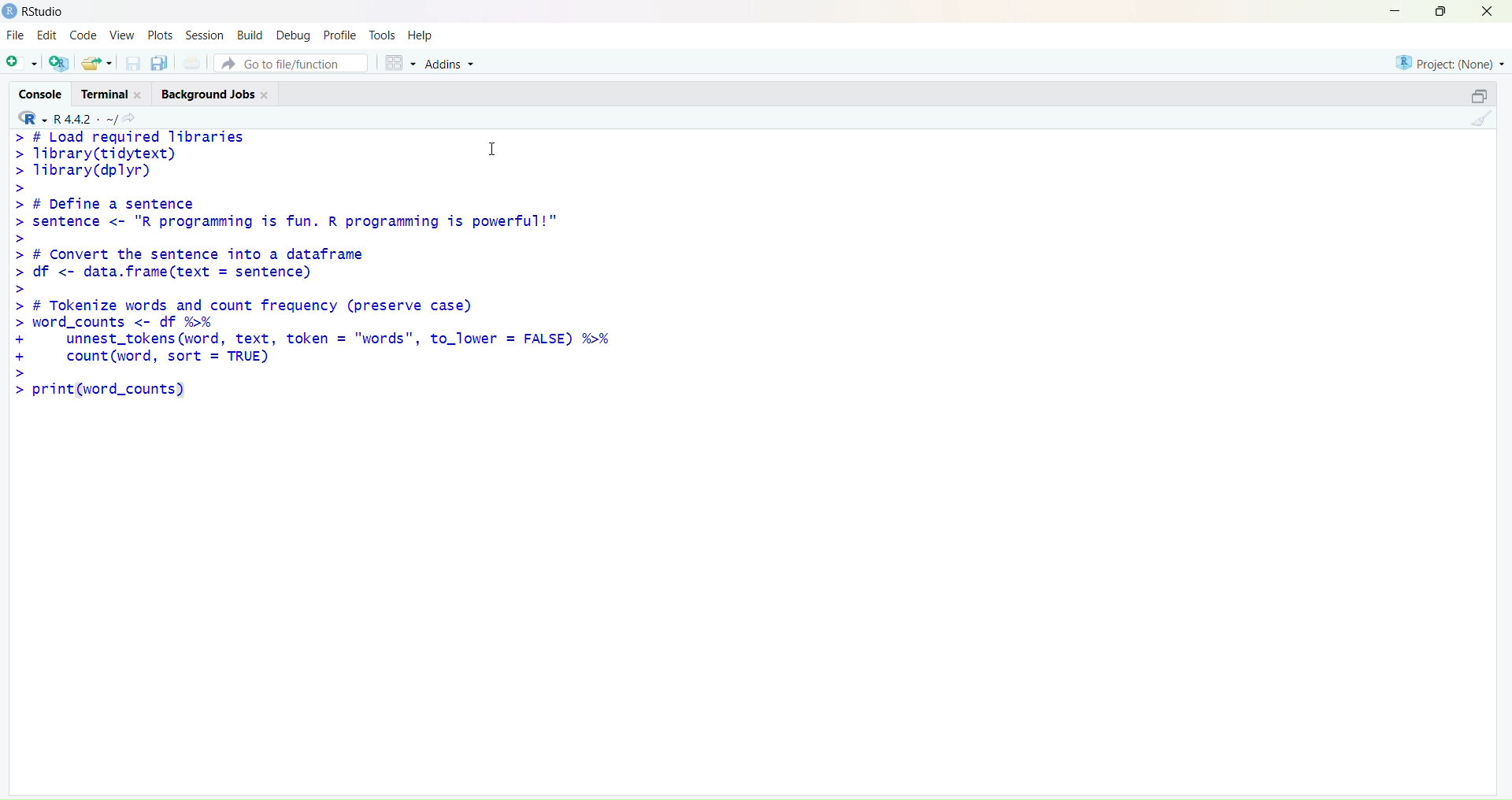  I want to click on save current document, so click(132, 64).